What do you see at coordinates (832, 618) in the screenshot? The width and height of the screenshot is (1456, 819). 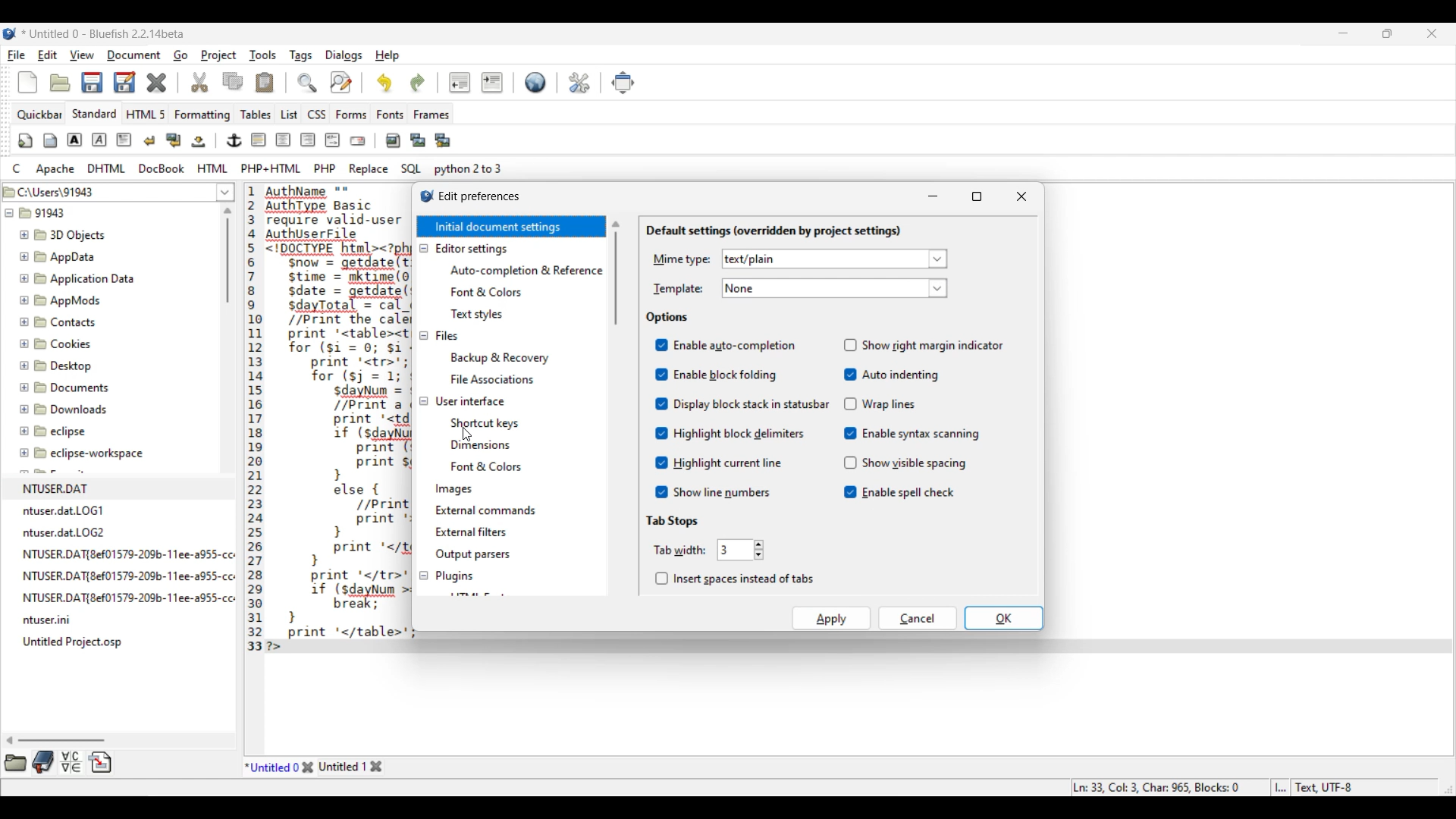 I see `Apply` at bounding box center [832, 618].